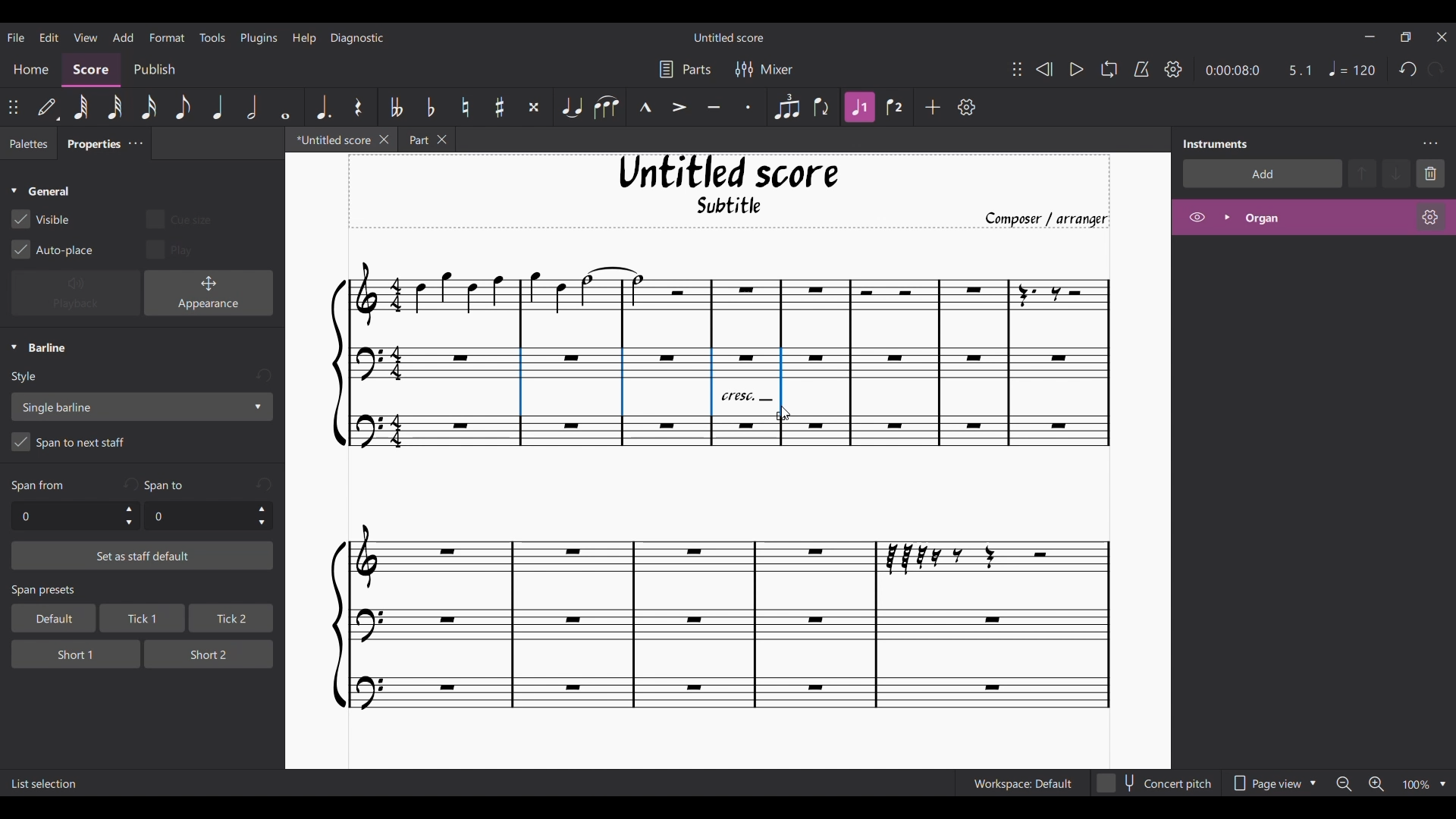 This screenshot has height=819, width=1456. I want to click on Quarter note, so click(218, 107).